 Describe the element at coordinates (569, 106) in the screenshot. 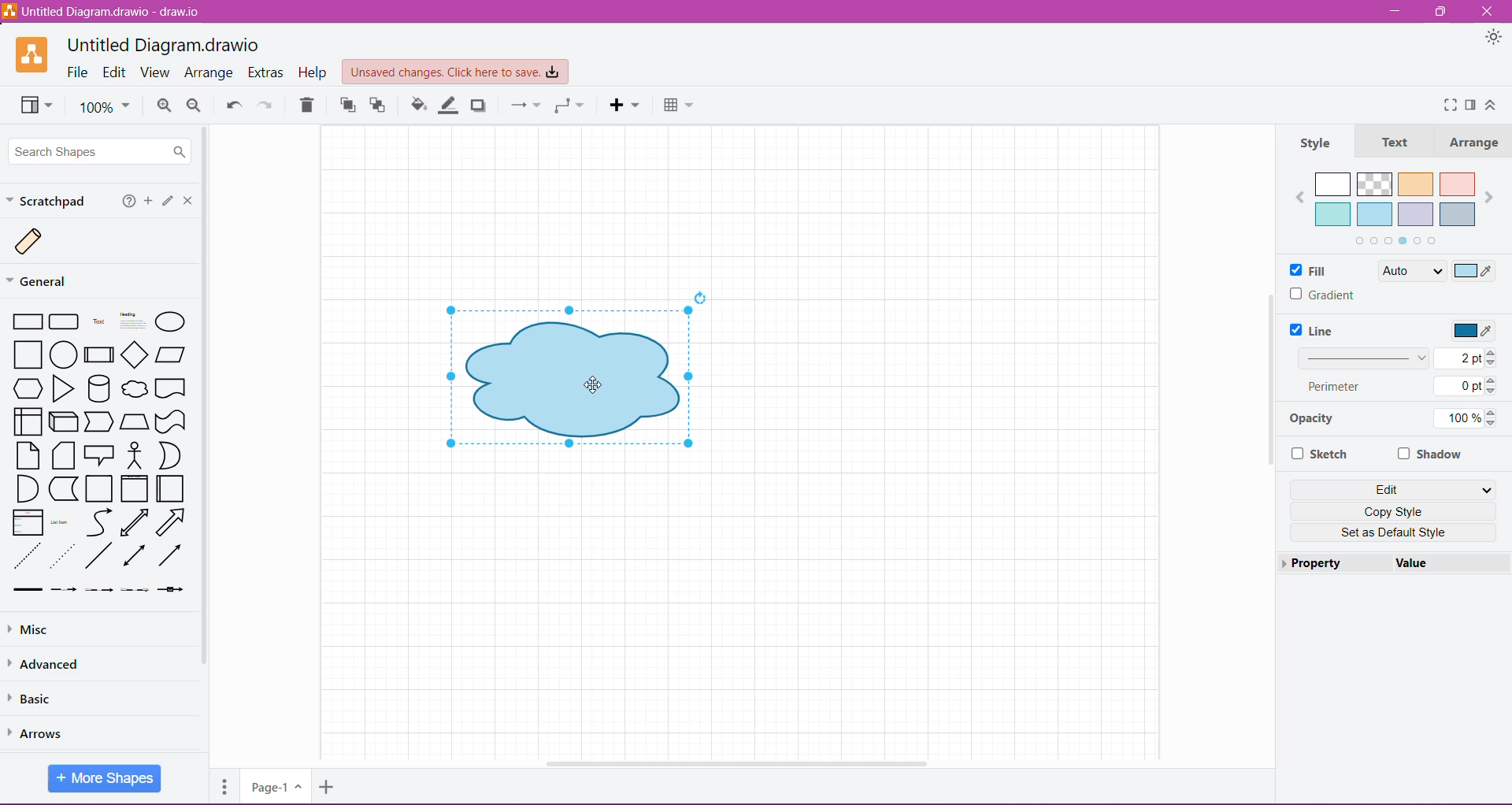

I see `Waypoint` at that location.